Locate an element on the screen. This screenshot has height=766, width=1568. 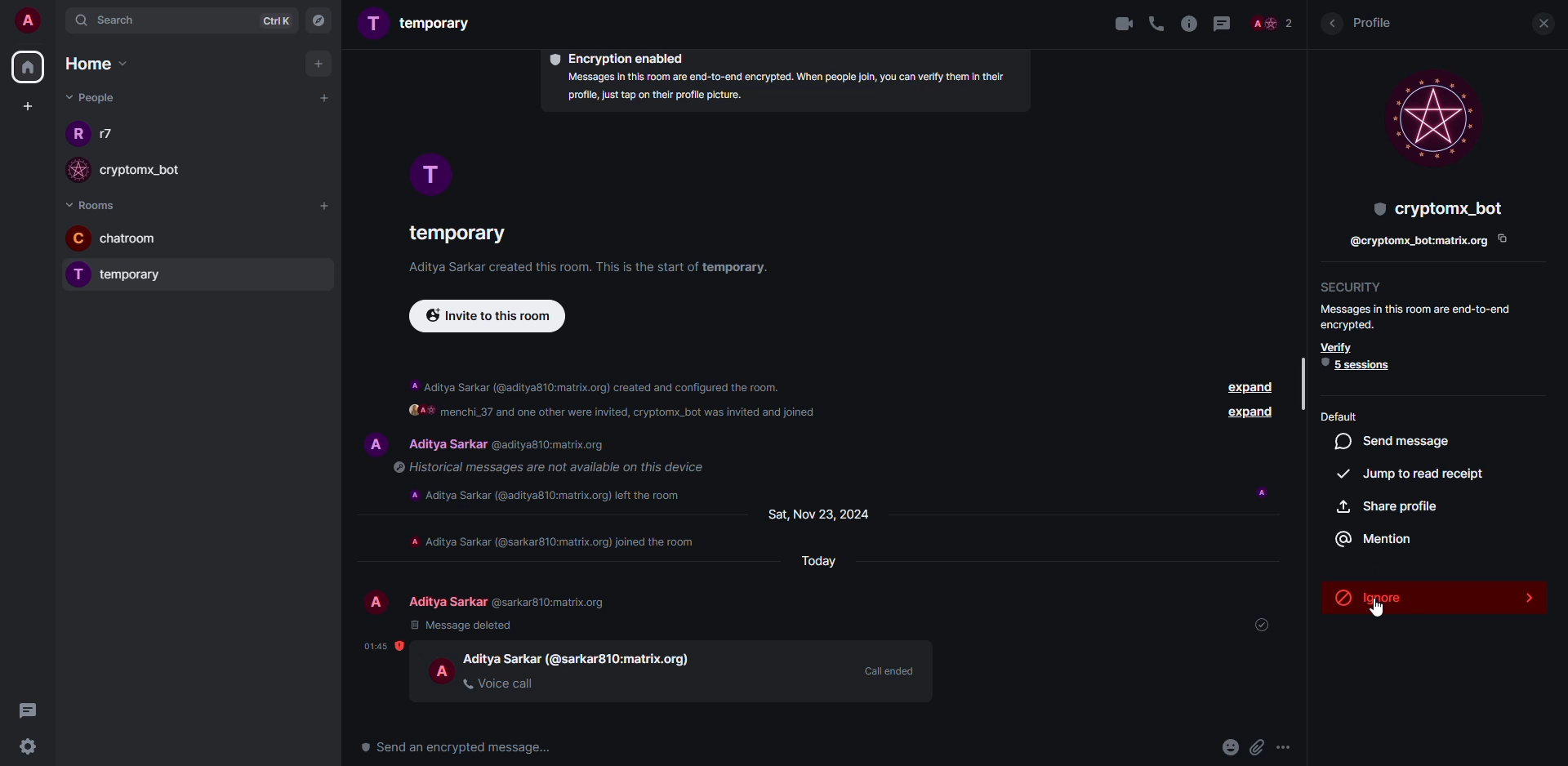
home is located at coordinates (95, 62).